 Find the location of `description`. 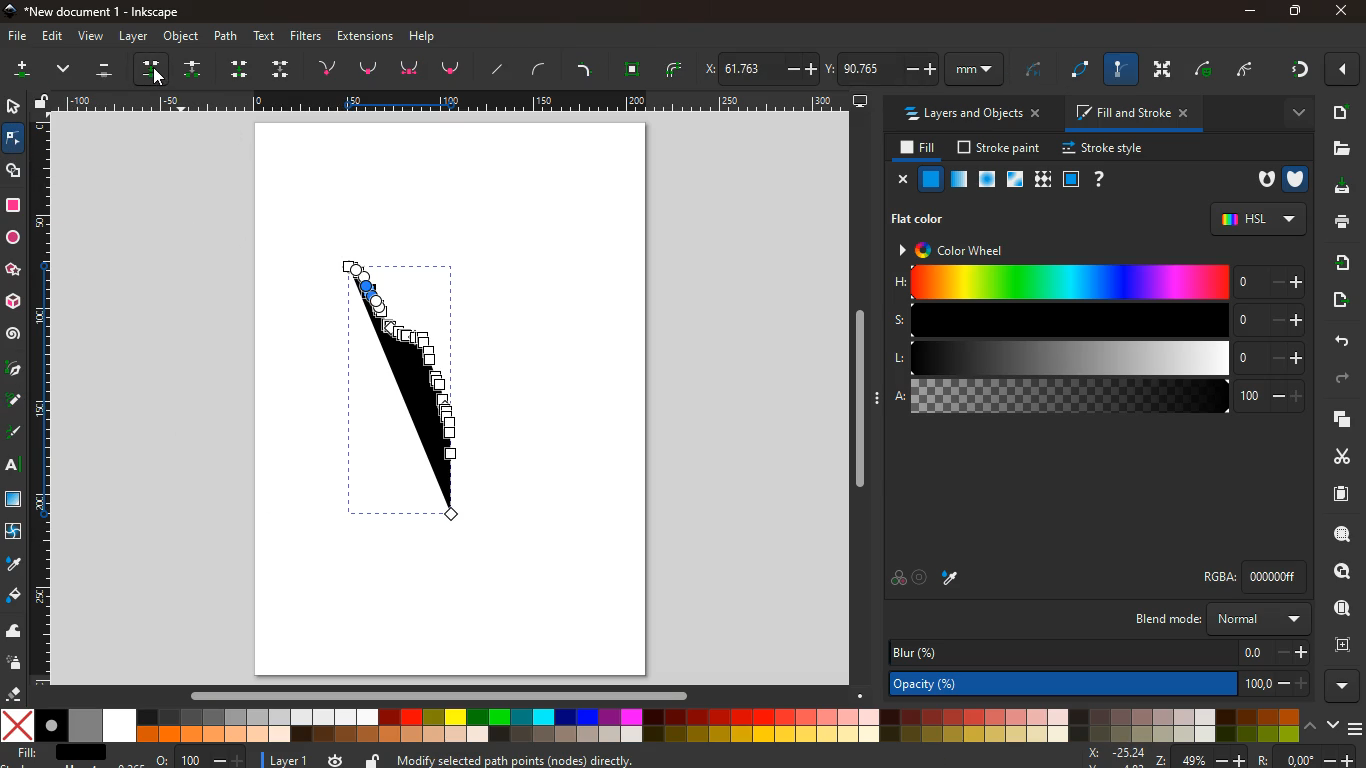

description is located at coordinates (680, 758).